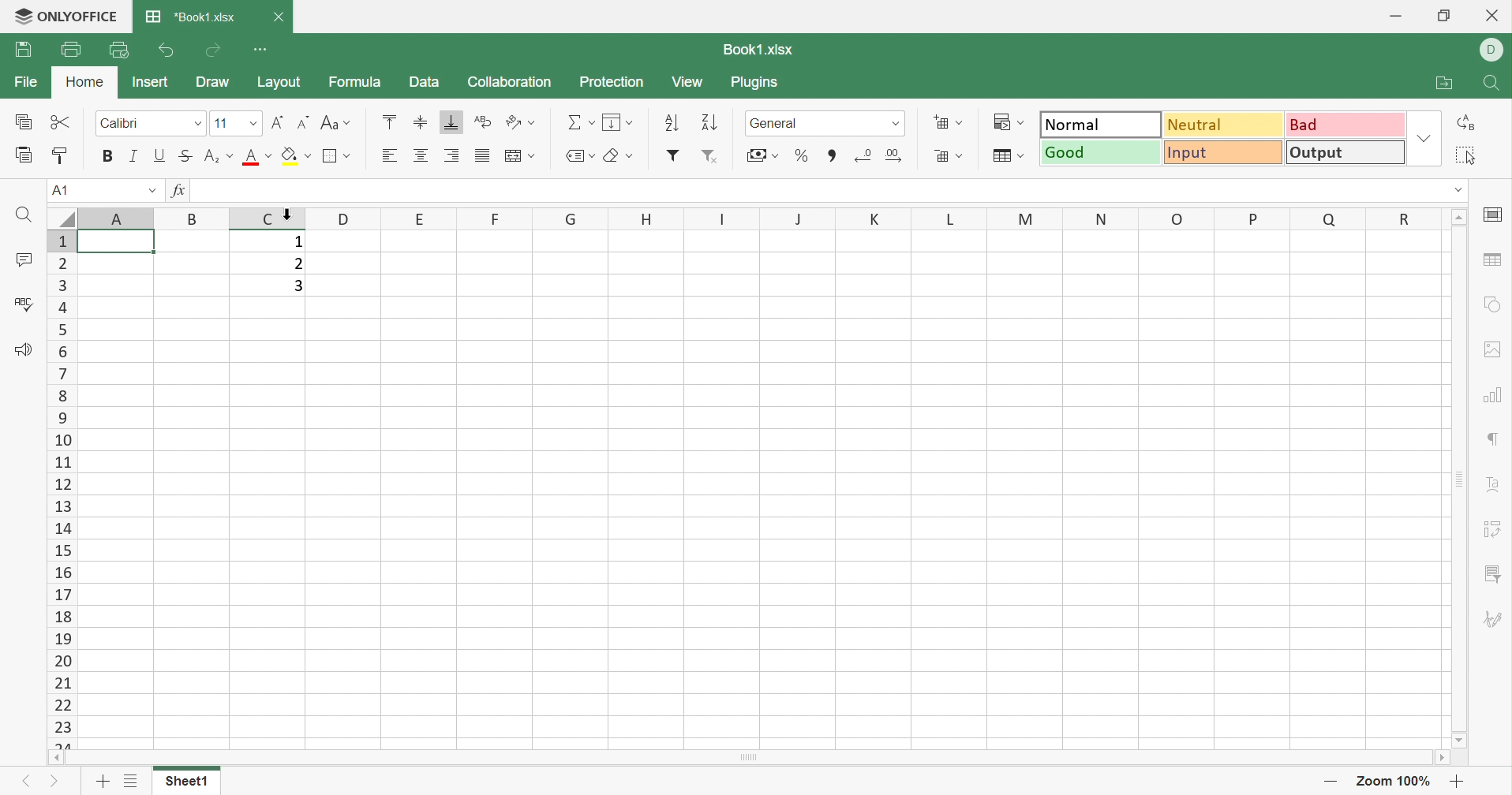 The image size is (1512, 795). I want to click on Copy Style, so click(62, 155).